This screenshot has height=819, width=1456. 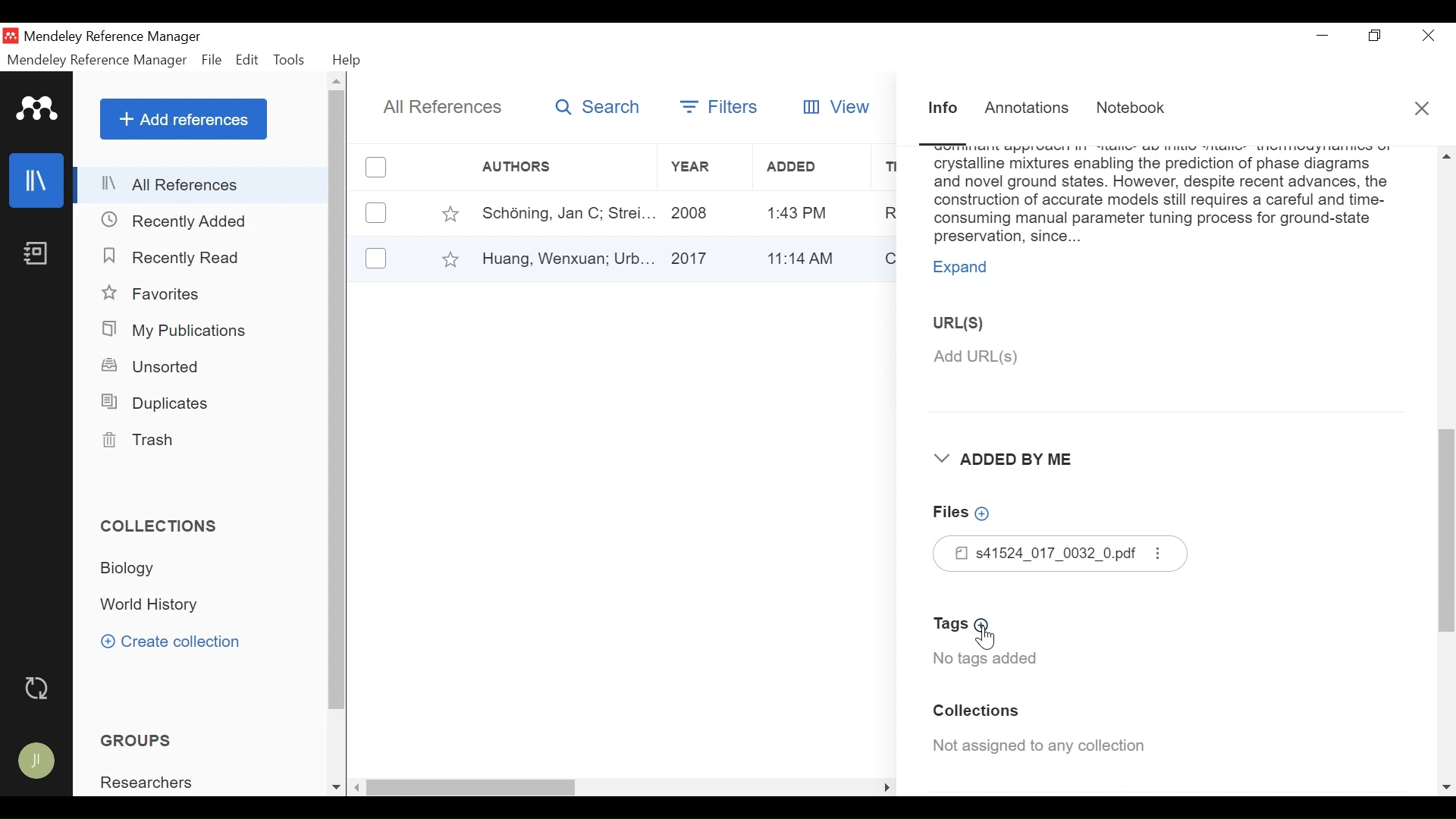 I want to click on Added, so click(x=808, y=168).